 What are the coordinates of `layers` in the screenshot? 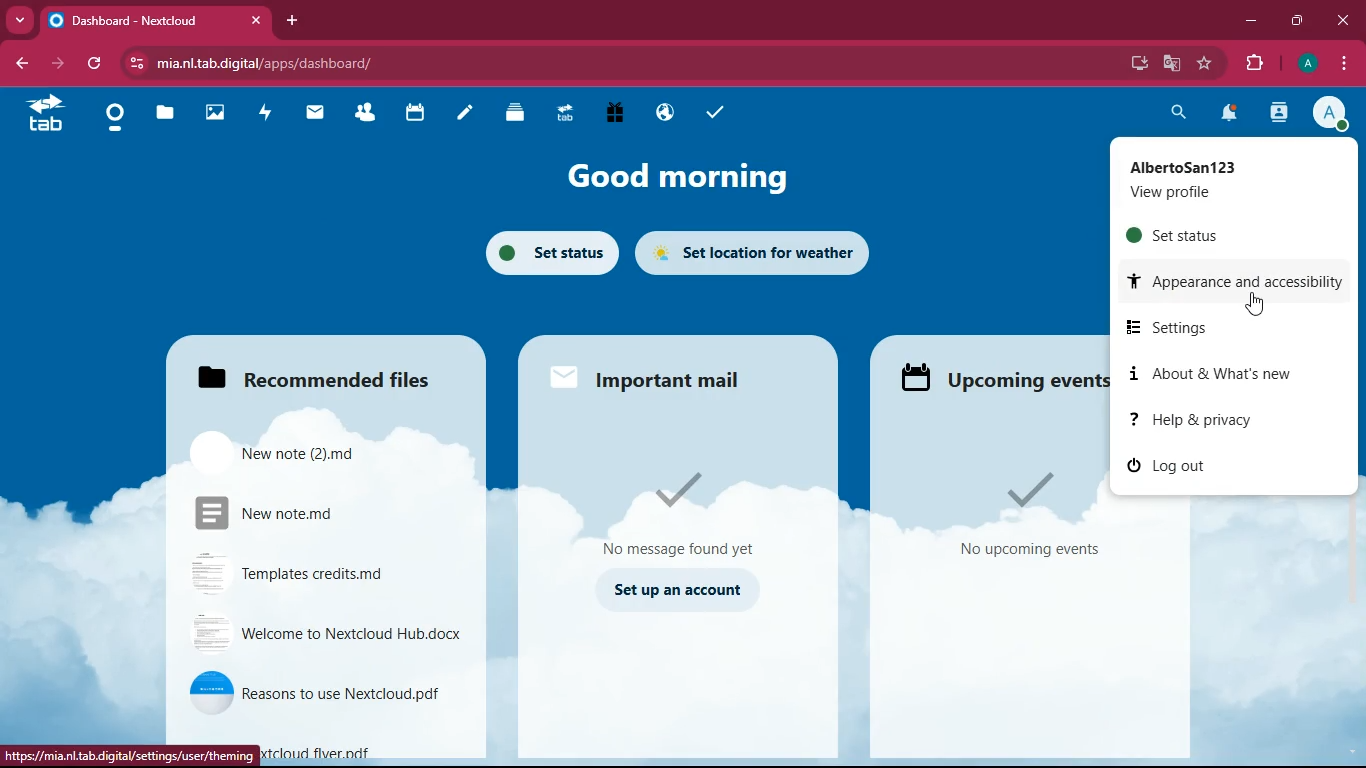 It's located at (520, 114).